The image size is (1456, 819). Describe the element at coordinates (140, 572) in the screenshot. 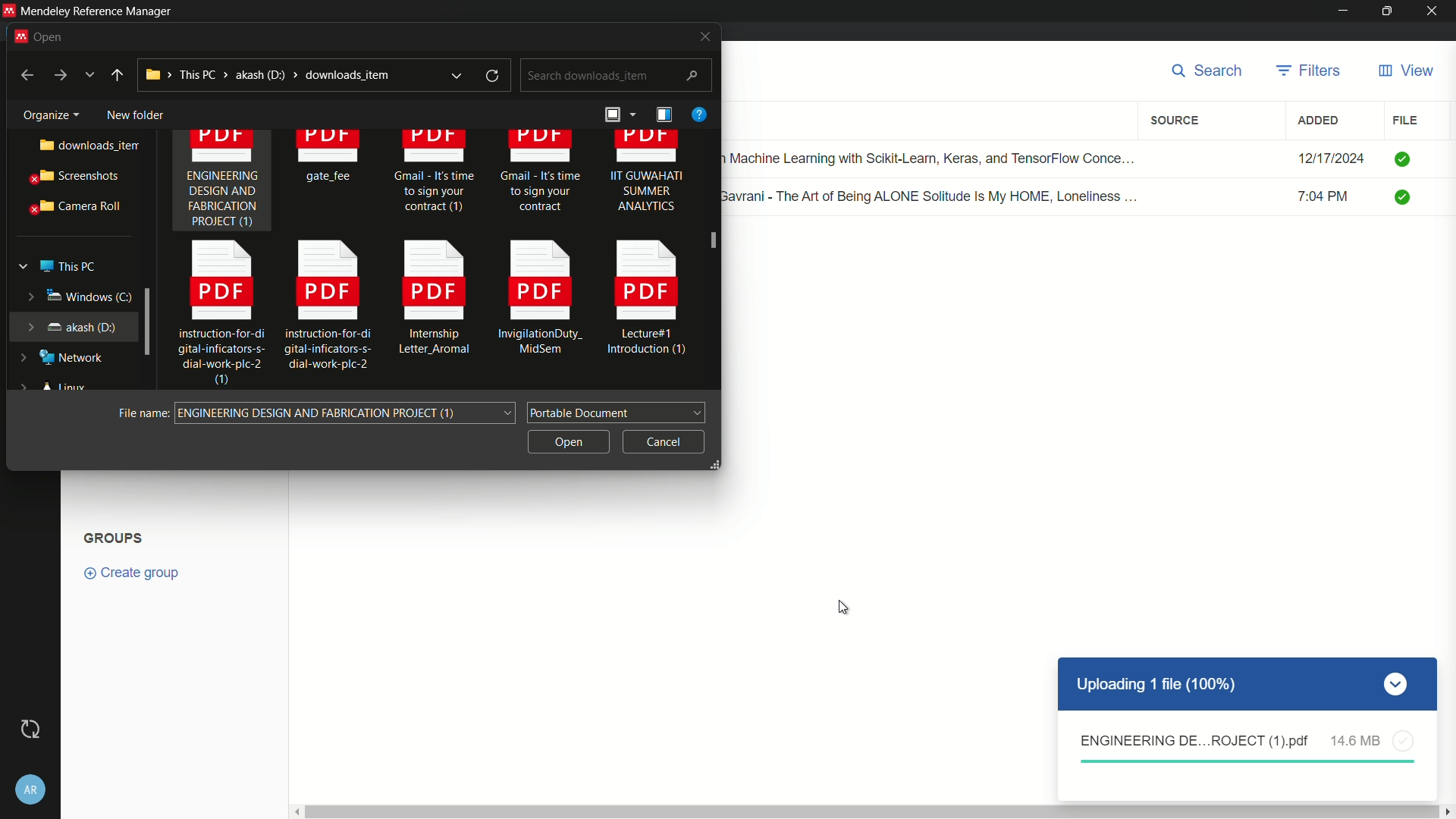

I see `create group` at that location.